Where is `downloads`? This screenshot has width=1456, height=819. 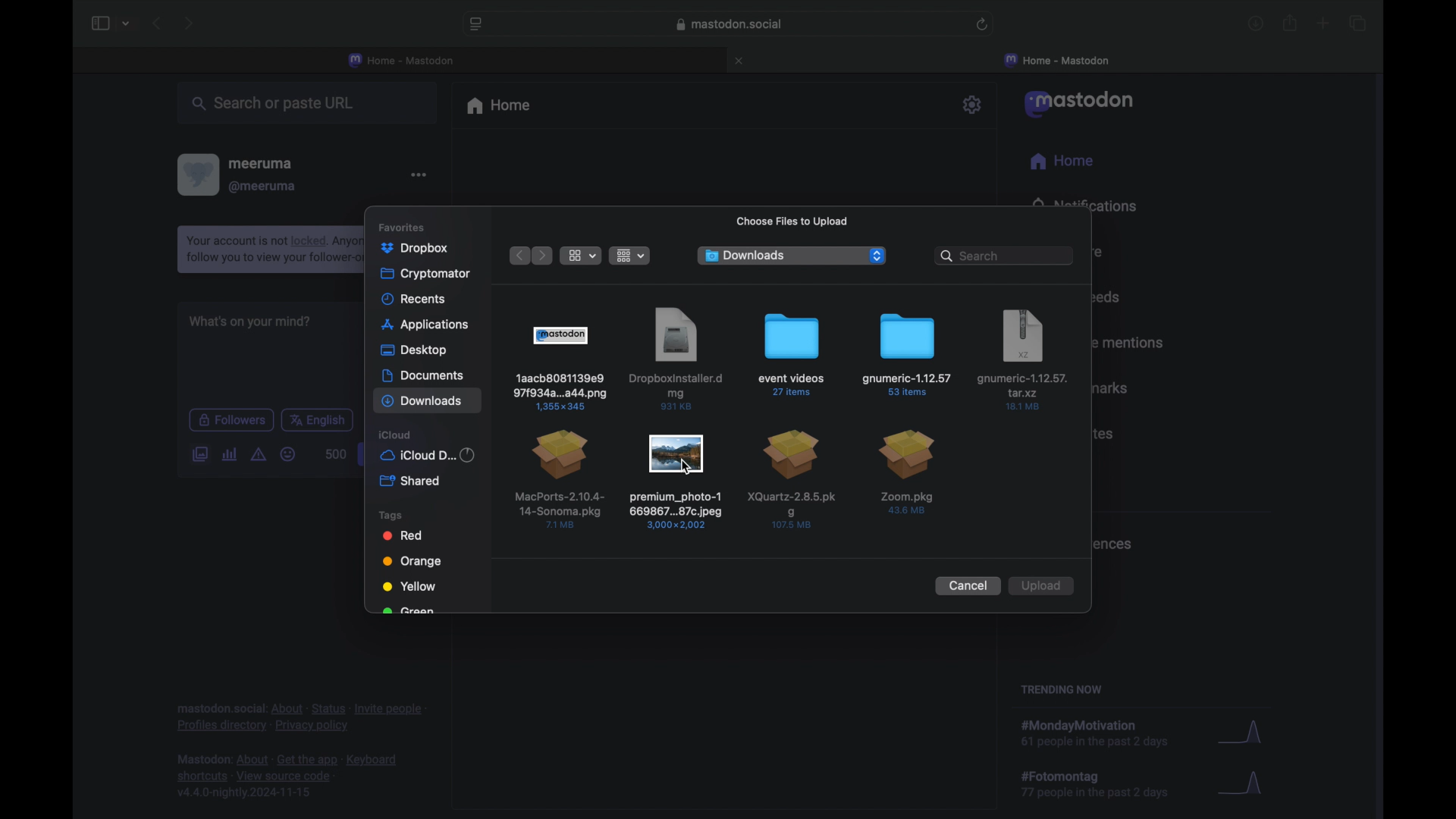
downloads is located at coordinates (1256, 25).